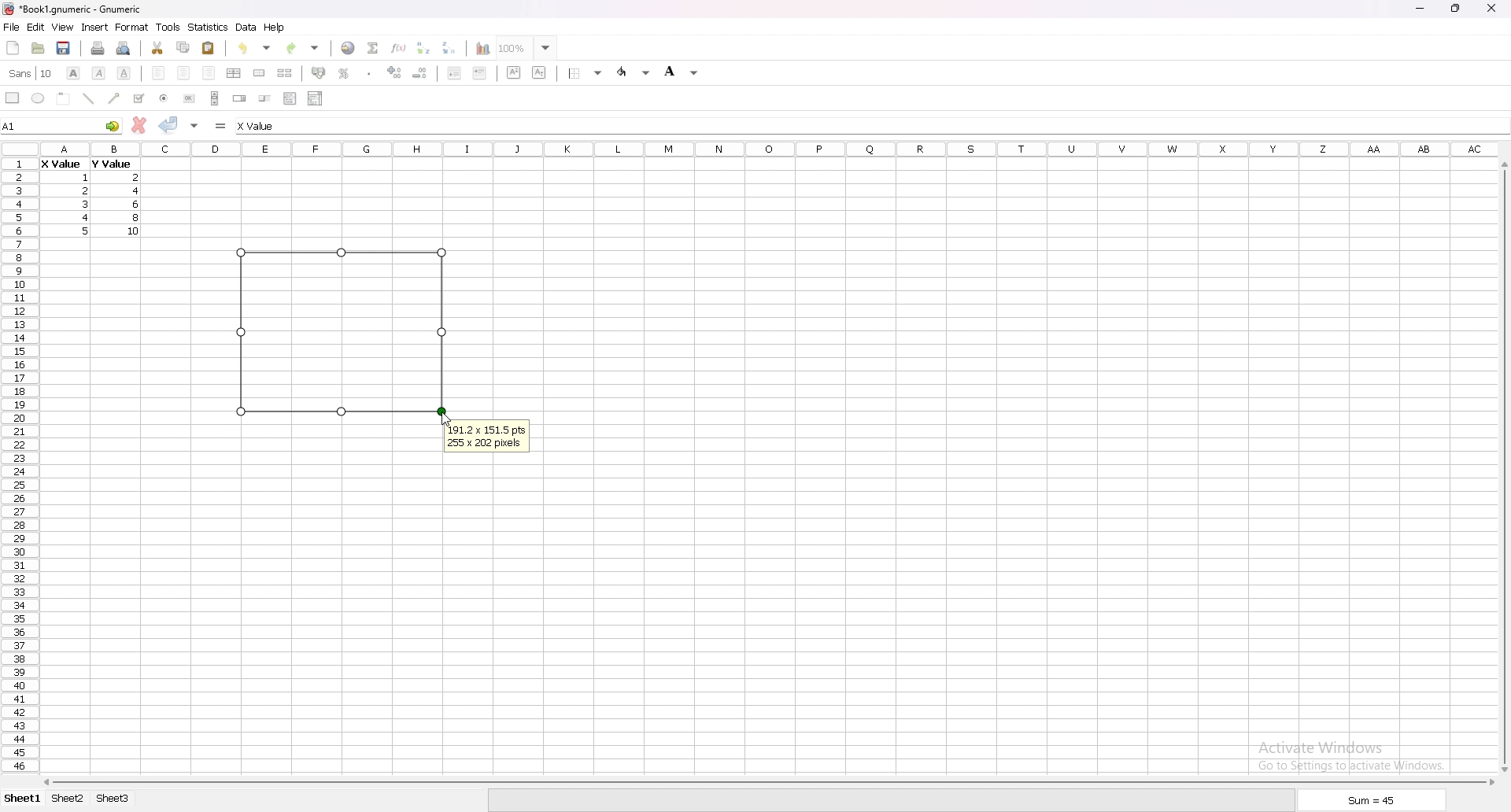  What do you see at coordinates (1420, 9) in the screenshot?
I see `minimize` at bounding box center [1420, 9].